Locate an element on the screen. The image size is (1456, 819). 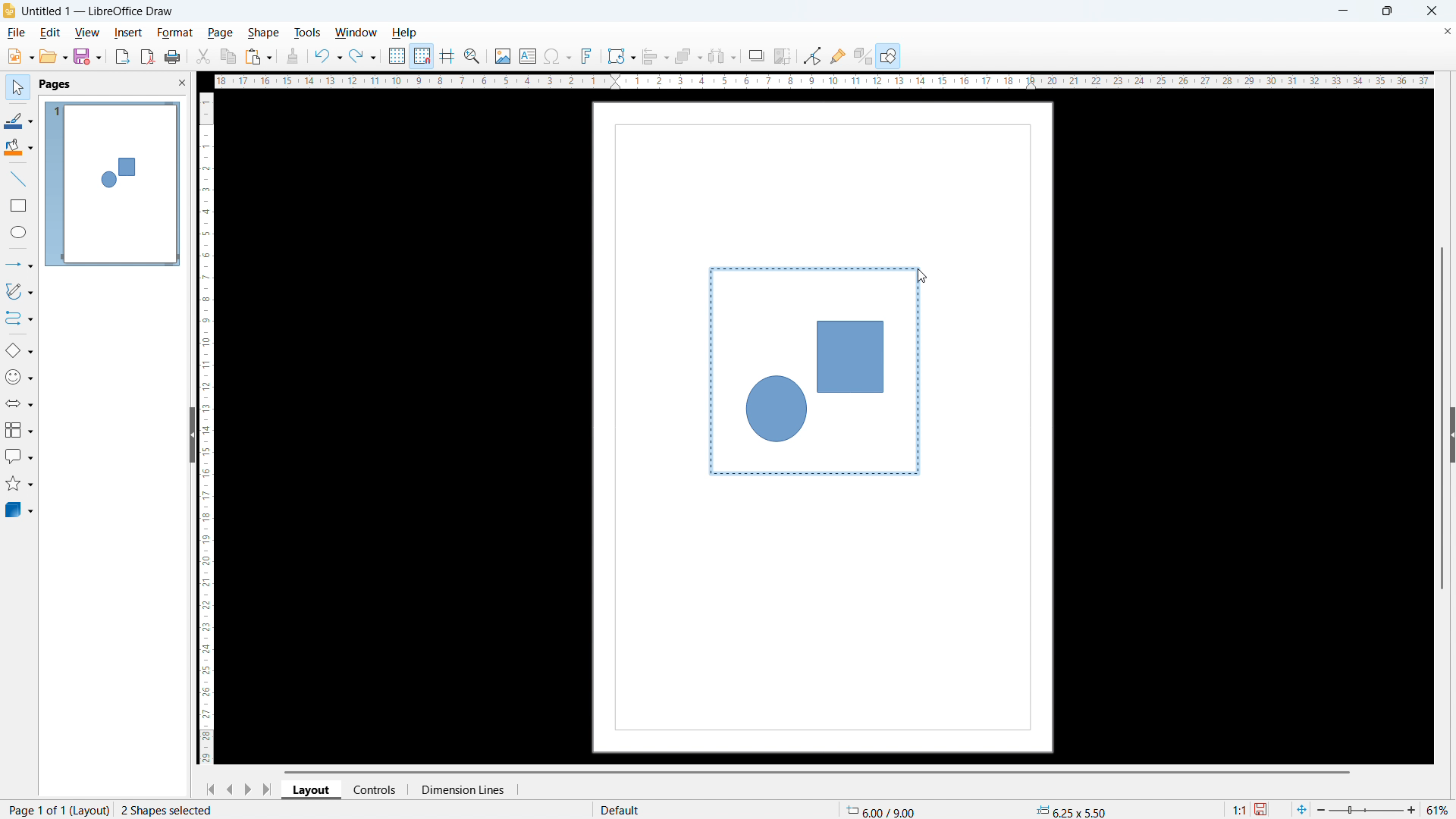
tools is located at coordinates (308, 32).